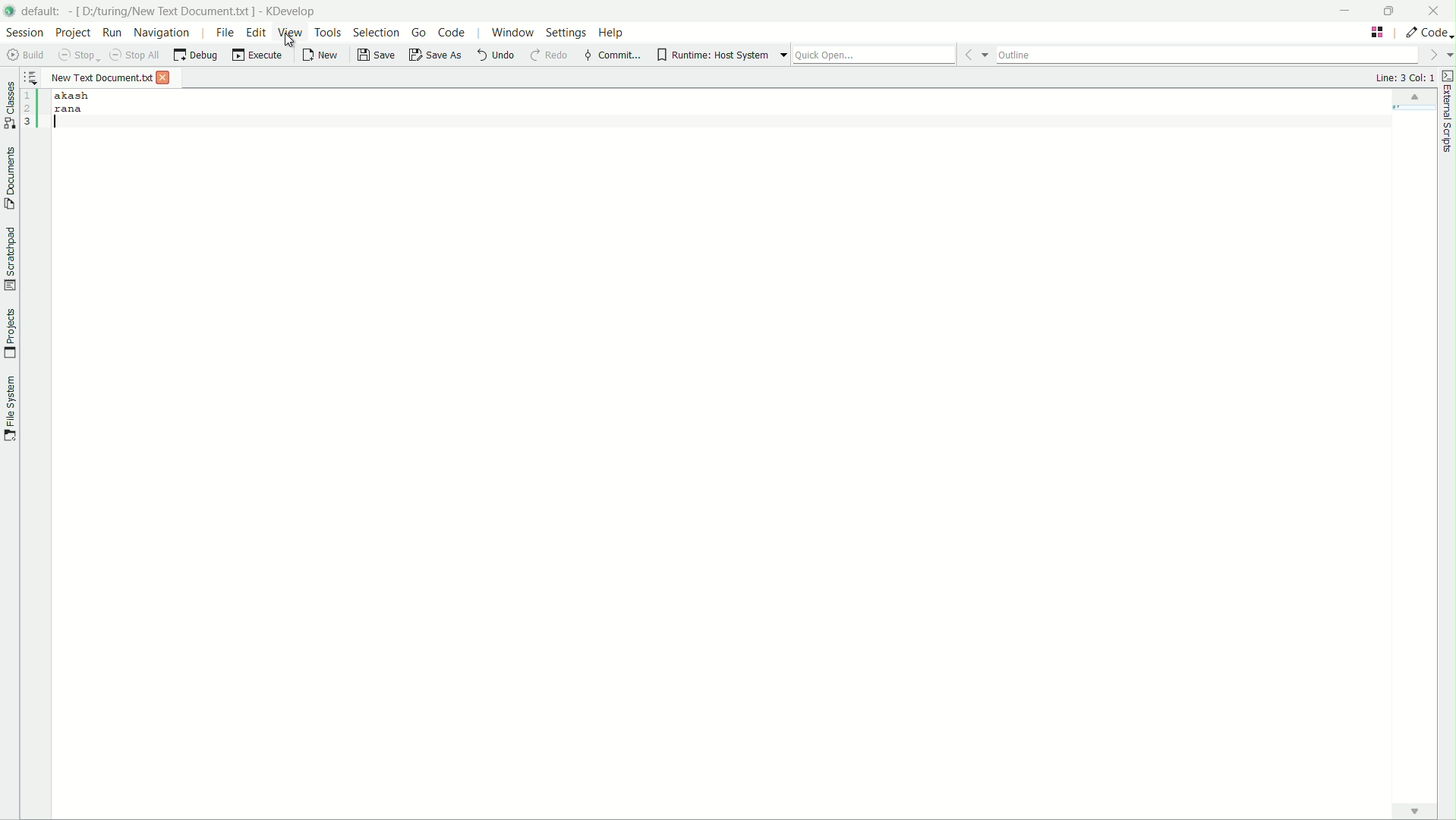  What do you see at coordinates (11, 260) in the screenshot?
I see `toggle scratchpad ` at bounding box center [11, 260].